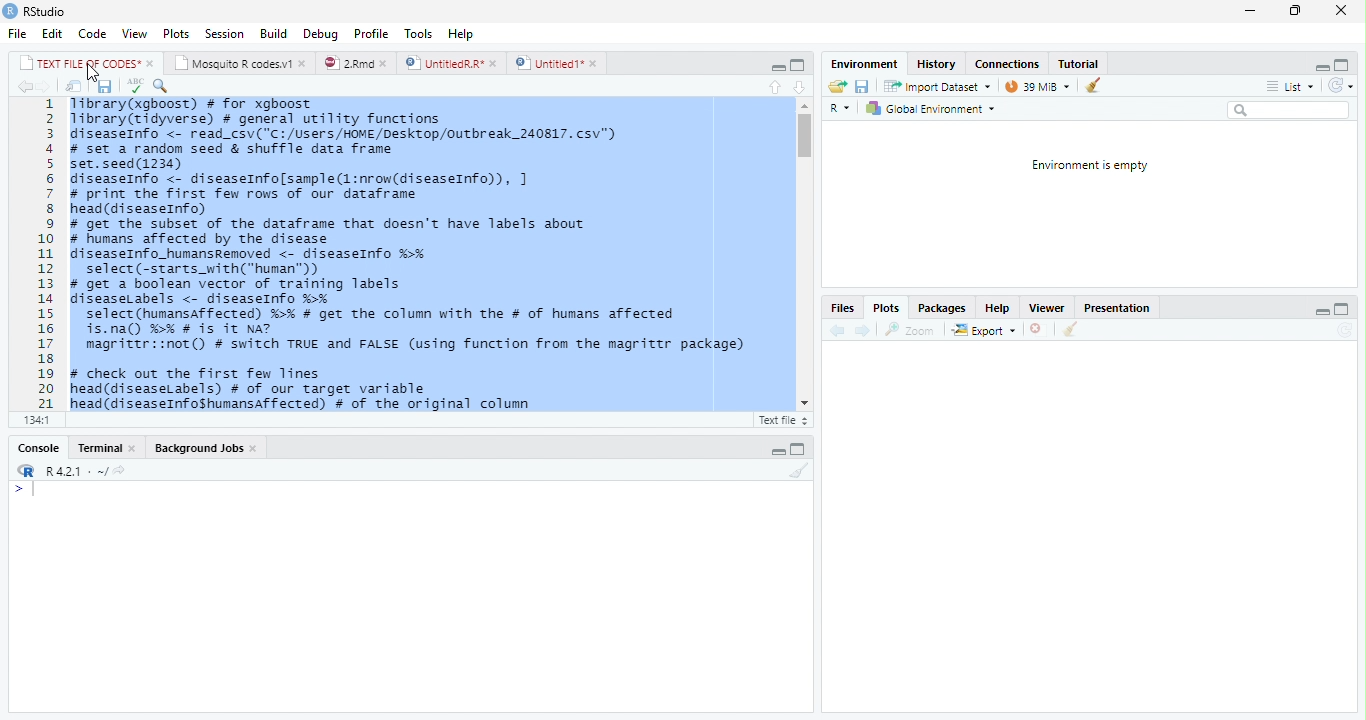  Describe the element at coordinates (1340, 84) in the screenshot. I see `Refresh` at that location.